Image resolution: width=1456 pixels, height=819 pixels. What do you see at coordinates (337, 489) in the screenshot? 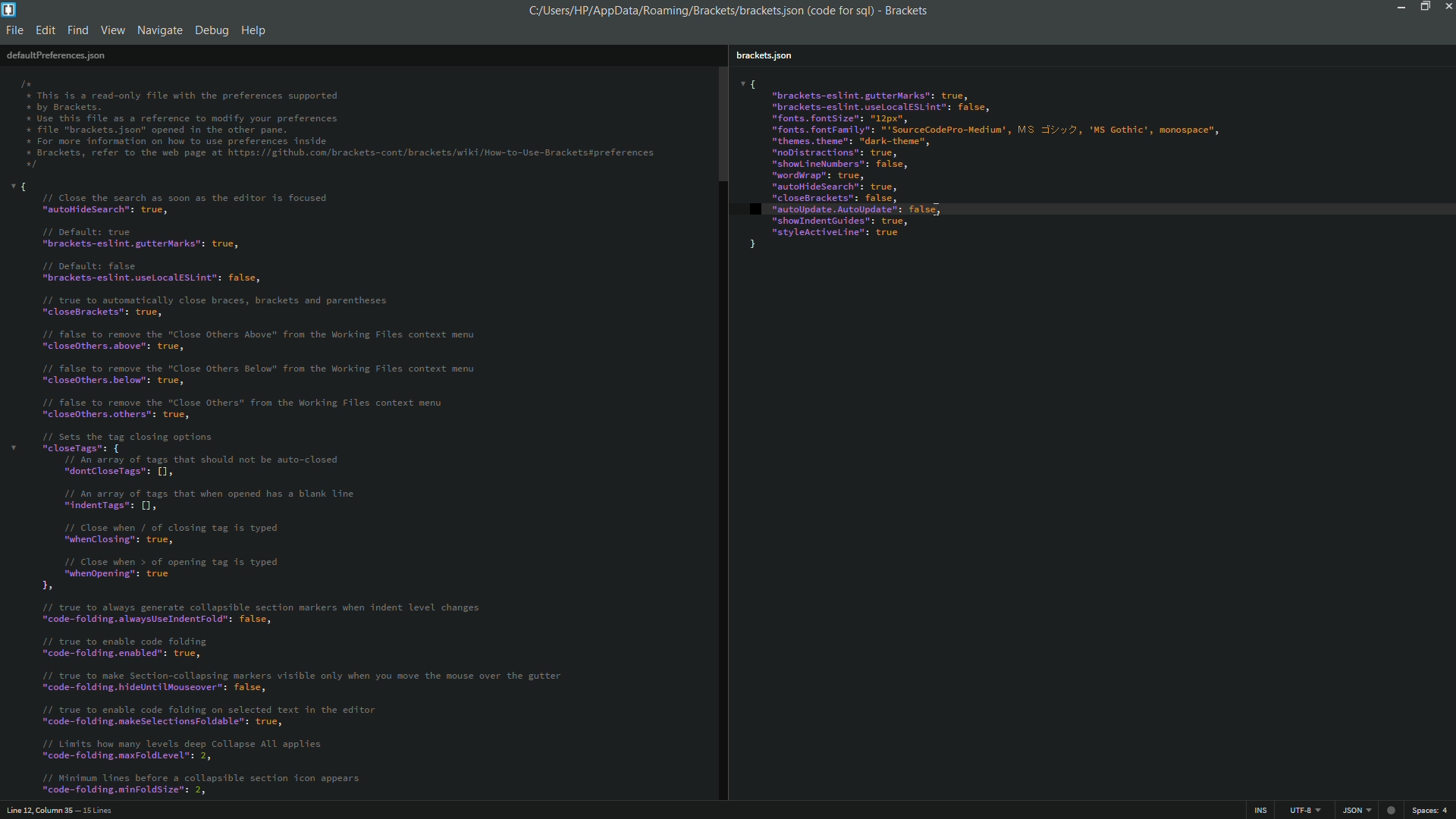
I see `v{
// Close the search as soon as the editor is focused
“autoHidesearch": true,
// Default: true
“brackets-eslint.gutterMarks": true,
// Default: false
"brackets-eslint.useLocalesLint": false,
// true to automatically close braces, brackets and parentheses
"closeBrackets": true,
// false to remove the "Close Others Above" from the Working Files context menu
"closeothers.above": true,
// false to remove the "Close Others Below" from the Working Files context menu
"closeothers.below": true,
// false to remove the "Close Others" from the Working Files context menu
"closeOthers. others": true,
/1 sets the tag closing options
* “closeTags": {
// An array of tags that should not be auto-closed
"dontCloseTags": [1,
// An array of tags that when opened has a blank line
"indentTags": [1,
// Close when / of closing tag is typed
"whenClosing": true,
// Close when > of opening tag is typed
"whenOpening": true
by
// true to always generate collapsible section markers when indent level changes
"code-folding.alwaysUseIndentFold": false,
// true to enable code folding
"code-folding.enabled": true,
// true to make Section-collapsing markers visible only when you move the mouse over the gutter
"code-folding.hideuntilMouseover®: false,
// true to enable code folding on selected text in the editor
"code-folding.makeselectionsFoldable": true,
// Limits how many levels deep Collapse ALL applies
"code-folding.maxFoldLevel™: 2,
// Minimum Lines before a collapsible section icon appears
“code-folding.minFoldsize": 2,` at bounding box center [337, 489].